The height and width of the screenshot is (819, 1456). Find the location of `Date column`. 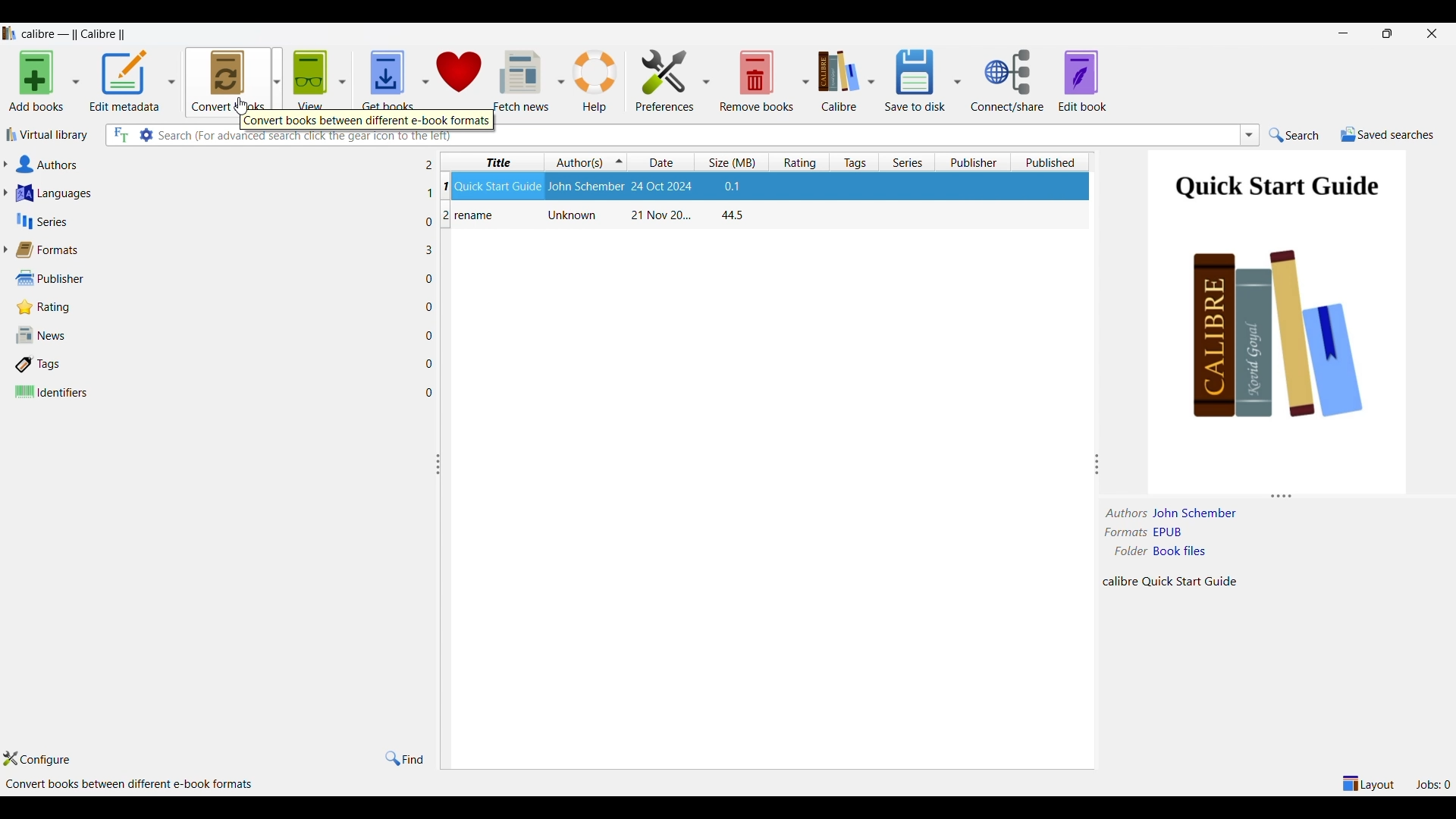

Date column is located at coordinates (661, 162).